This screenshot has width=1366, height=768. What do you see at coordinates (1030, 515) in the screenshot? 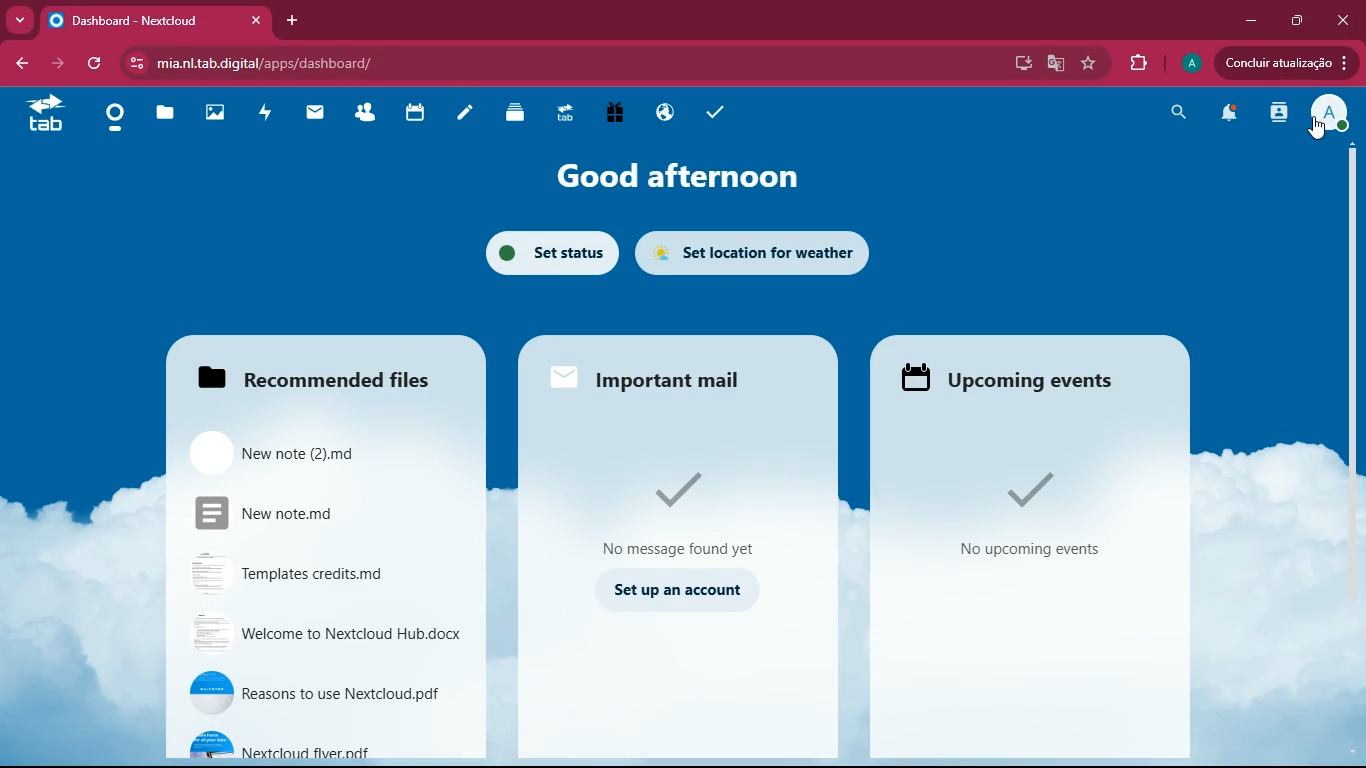
I see `No upcoming events` at bounding box center [1030, 515].